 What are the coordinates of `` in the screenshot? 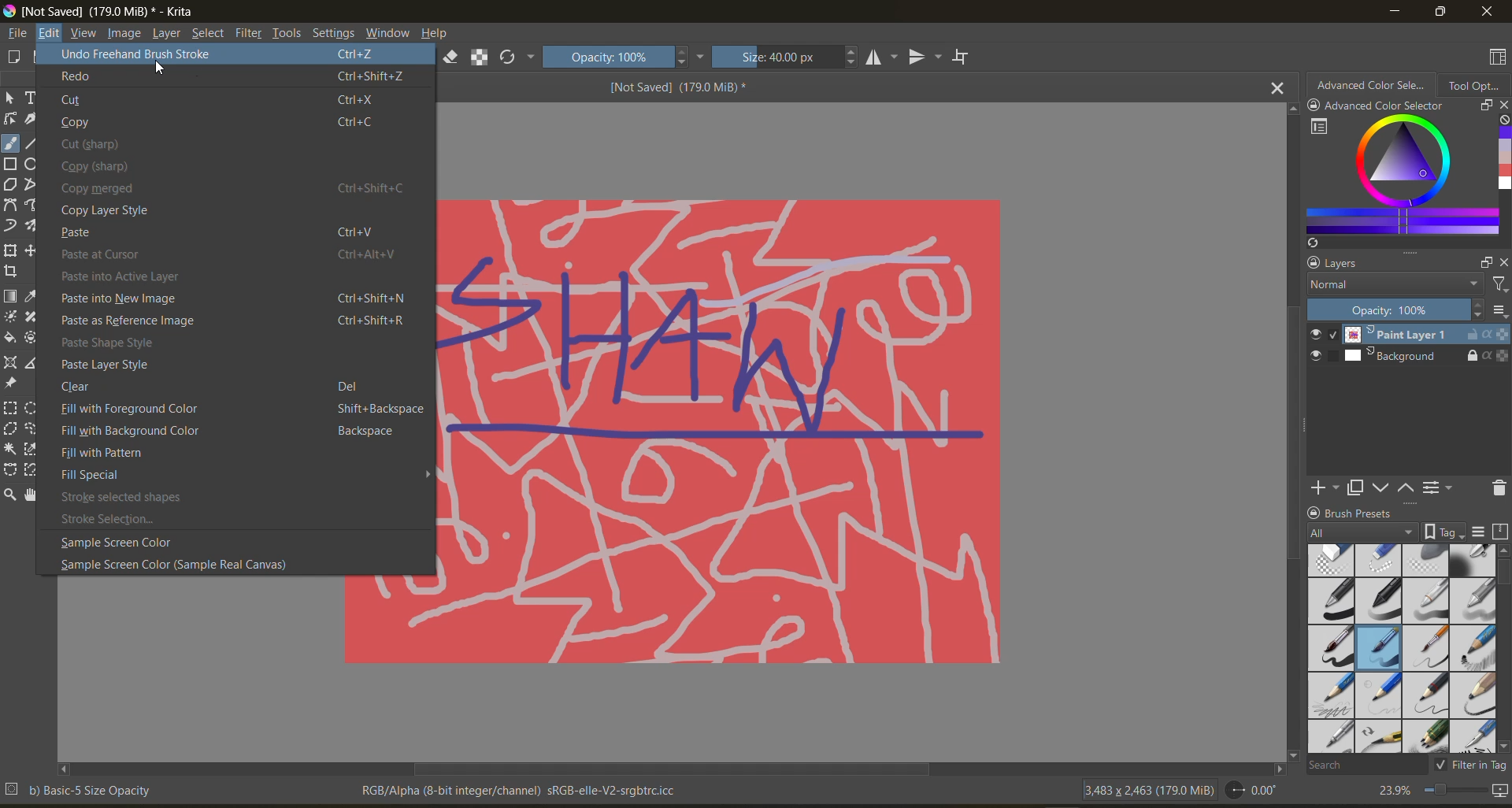 It's located at (160, 68).